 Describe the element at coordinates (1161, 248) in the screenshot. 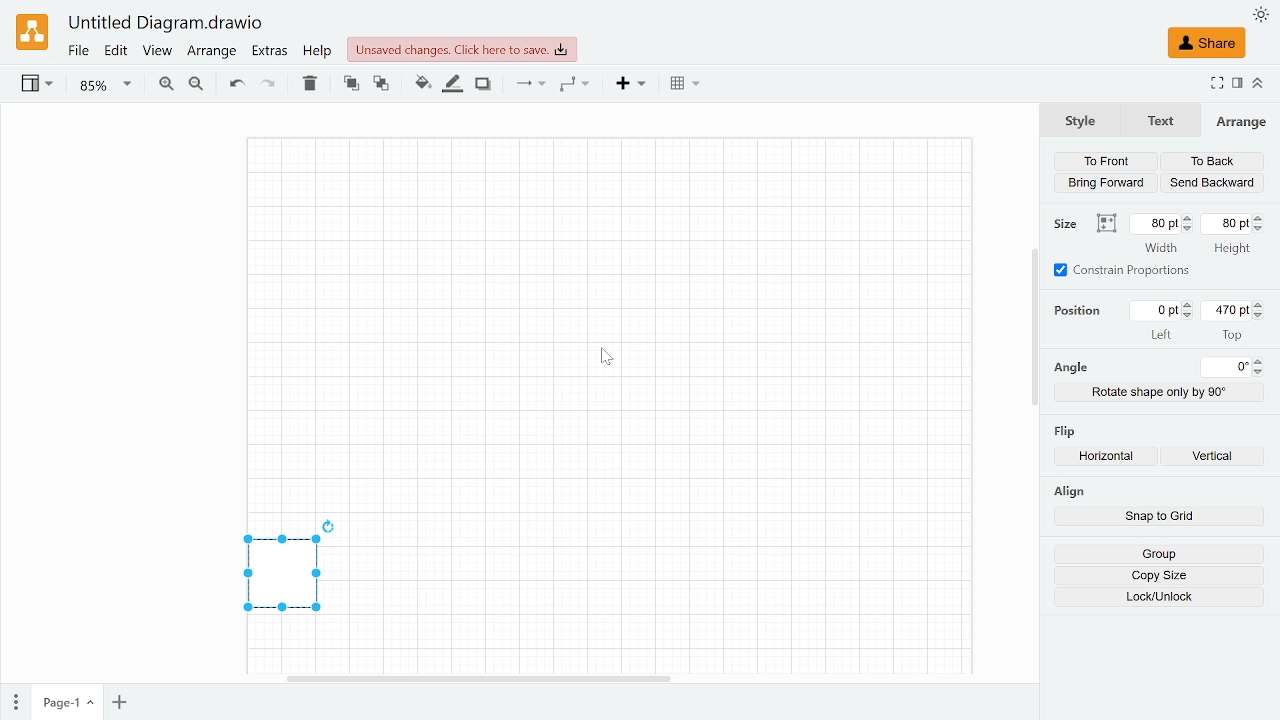

I see `width` at that location.